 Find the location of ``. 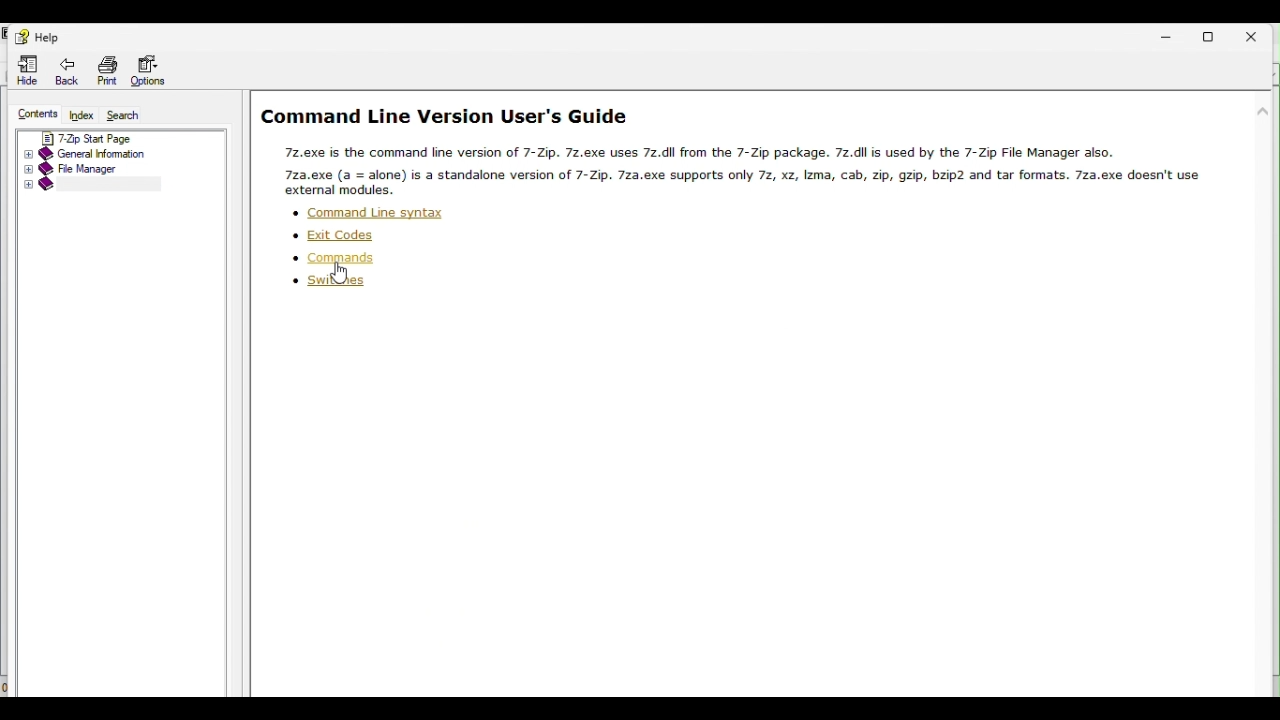

 is located at coordinates (36, 37).